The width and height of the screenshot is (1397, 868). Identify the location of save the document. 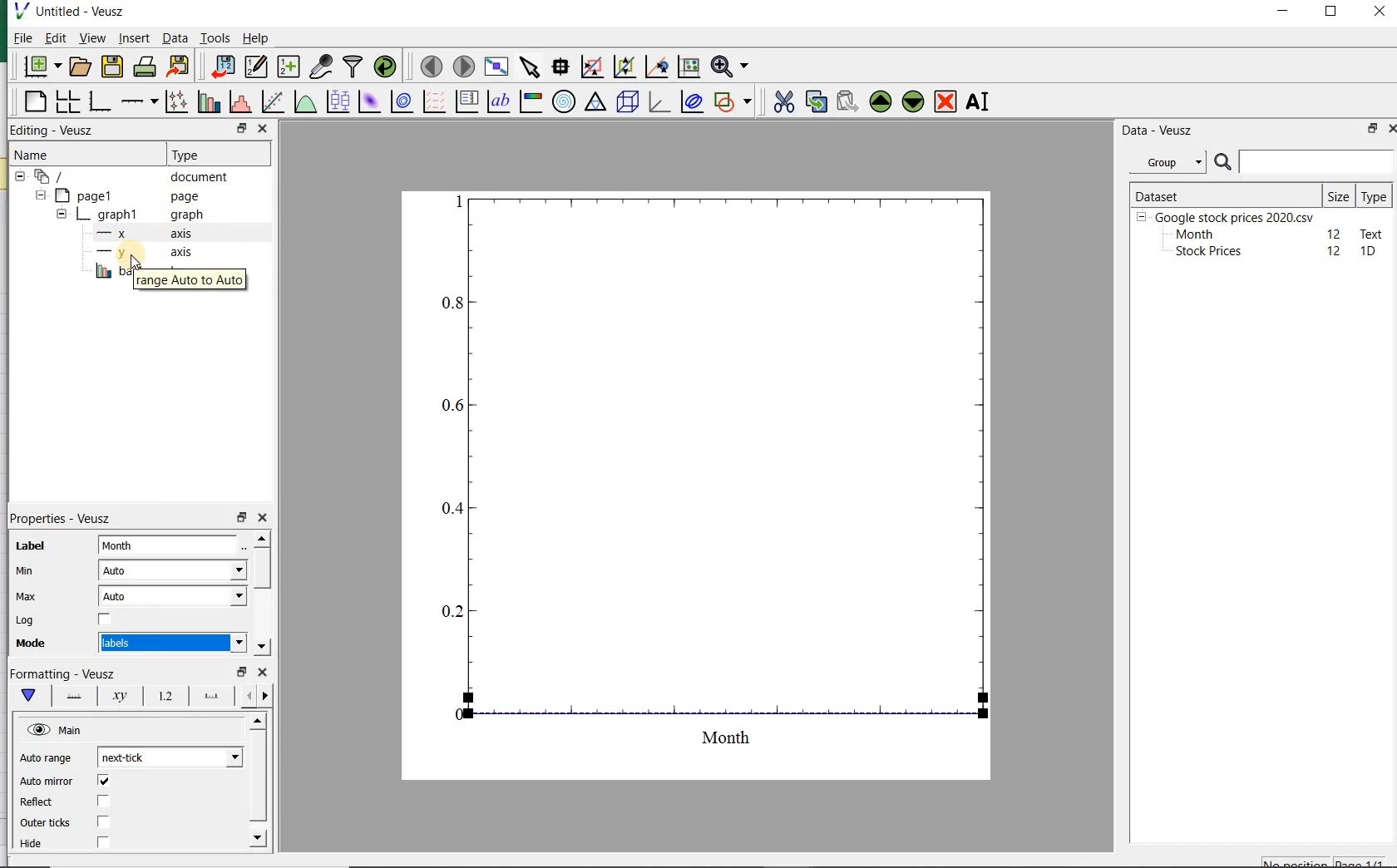
(112, 67).